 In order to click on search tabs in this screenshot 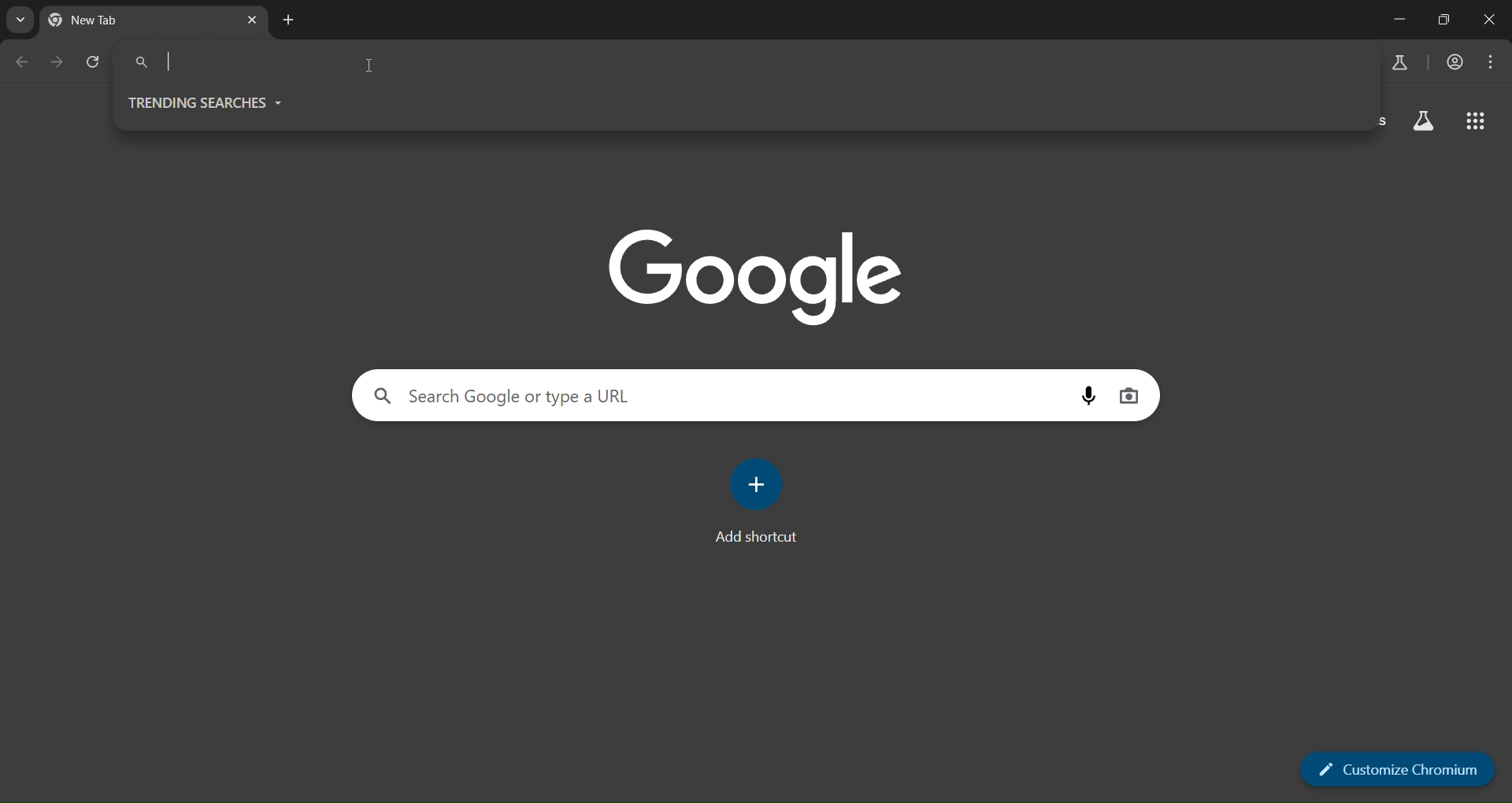, I will do `click(21, 18)`.